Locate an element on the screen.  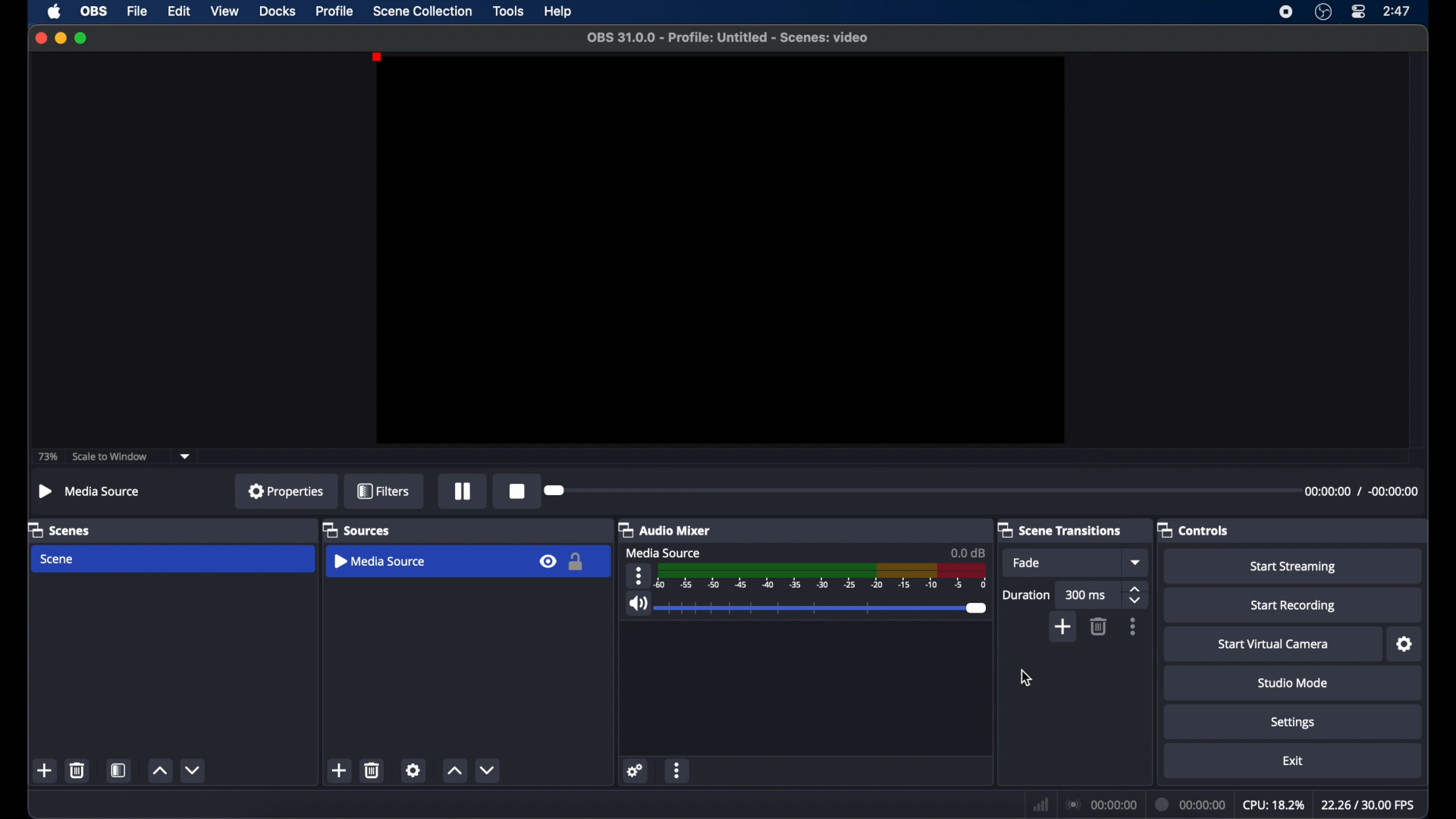
Stop is located at coordinates (513, 491).